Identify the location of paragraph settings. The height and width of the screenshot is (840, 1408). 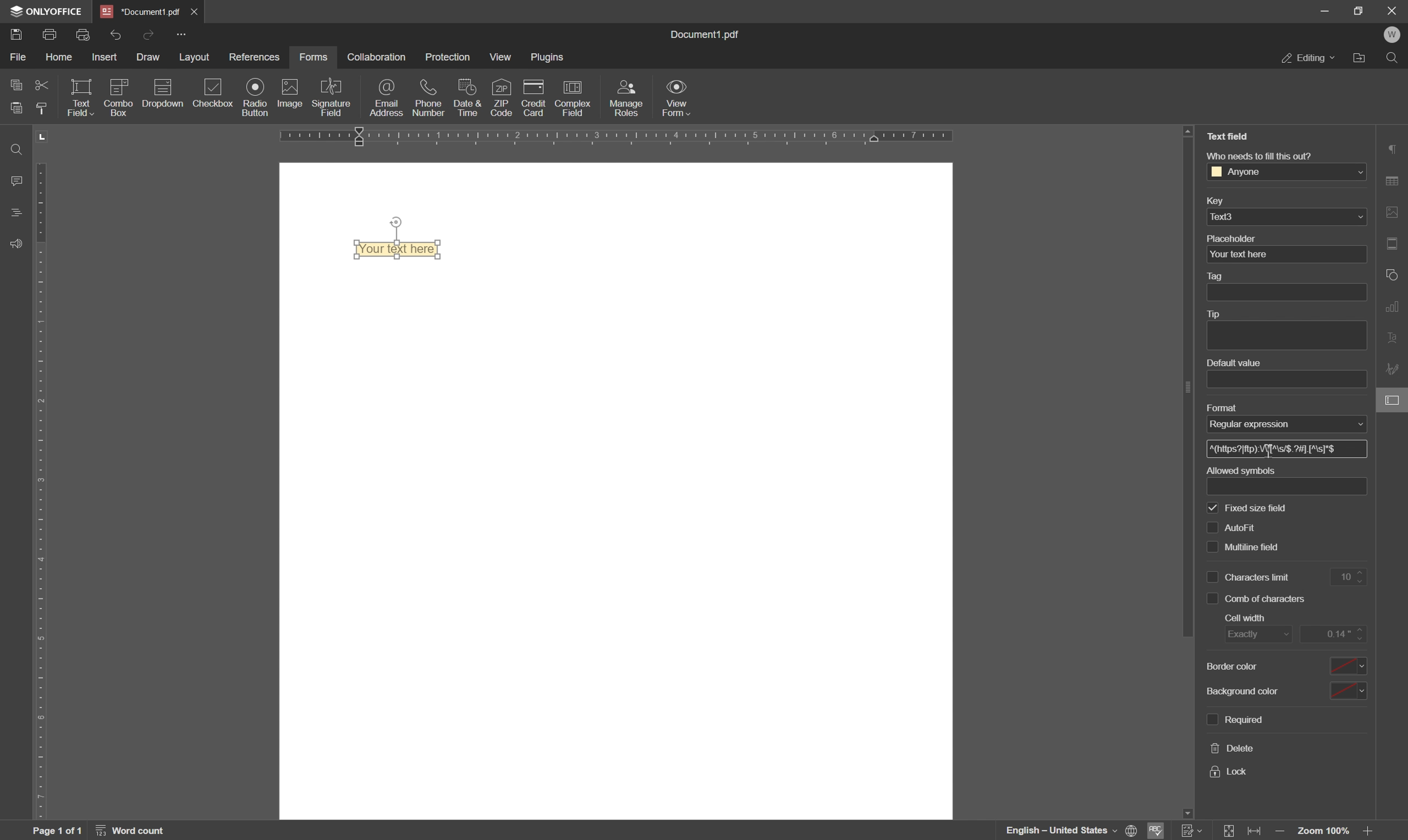
(1394, 148).